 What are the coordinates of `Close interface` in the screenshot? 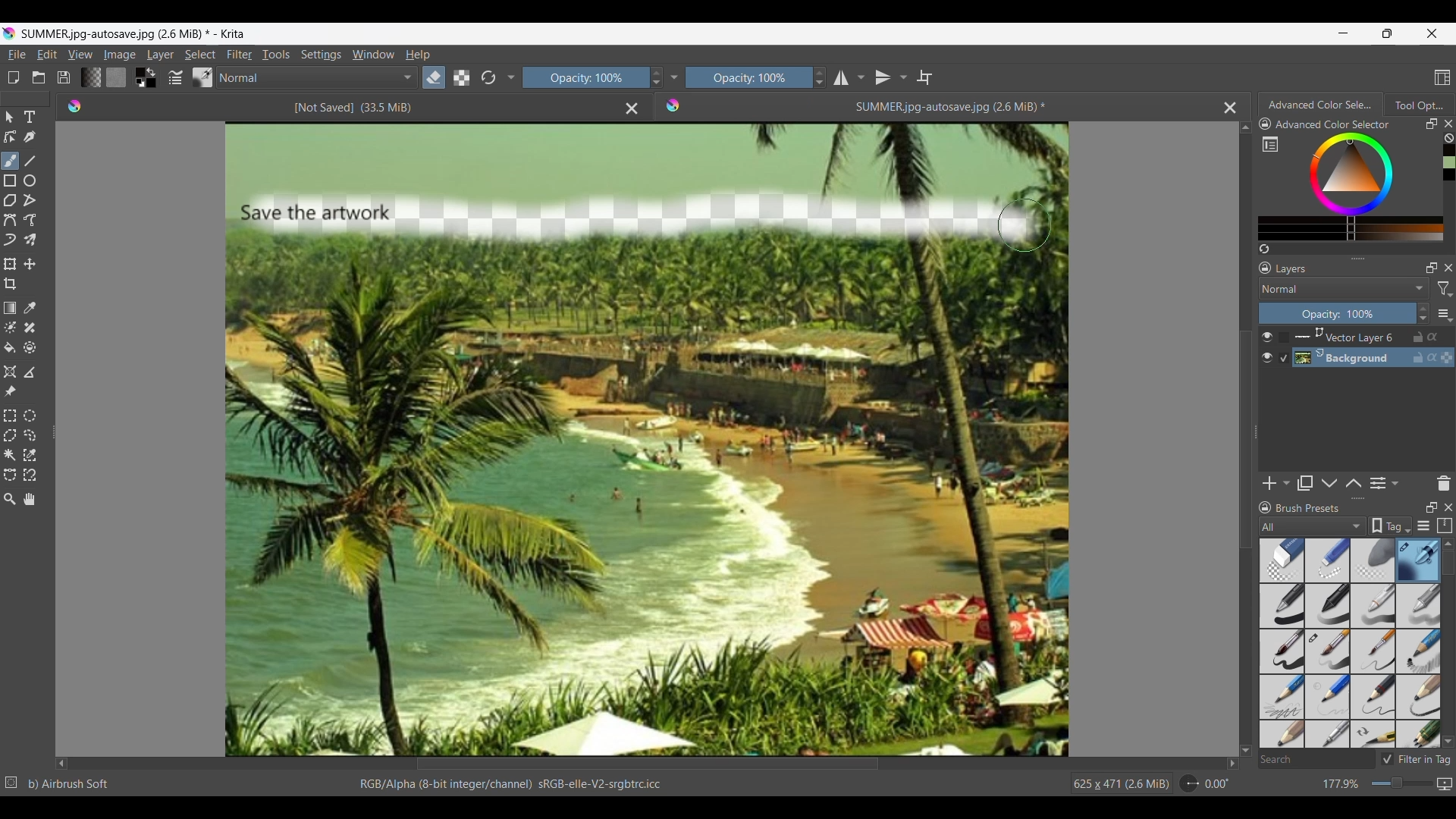 It's located at (1432, 33).